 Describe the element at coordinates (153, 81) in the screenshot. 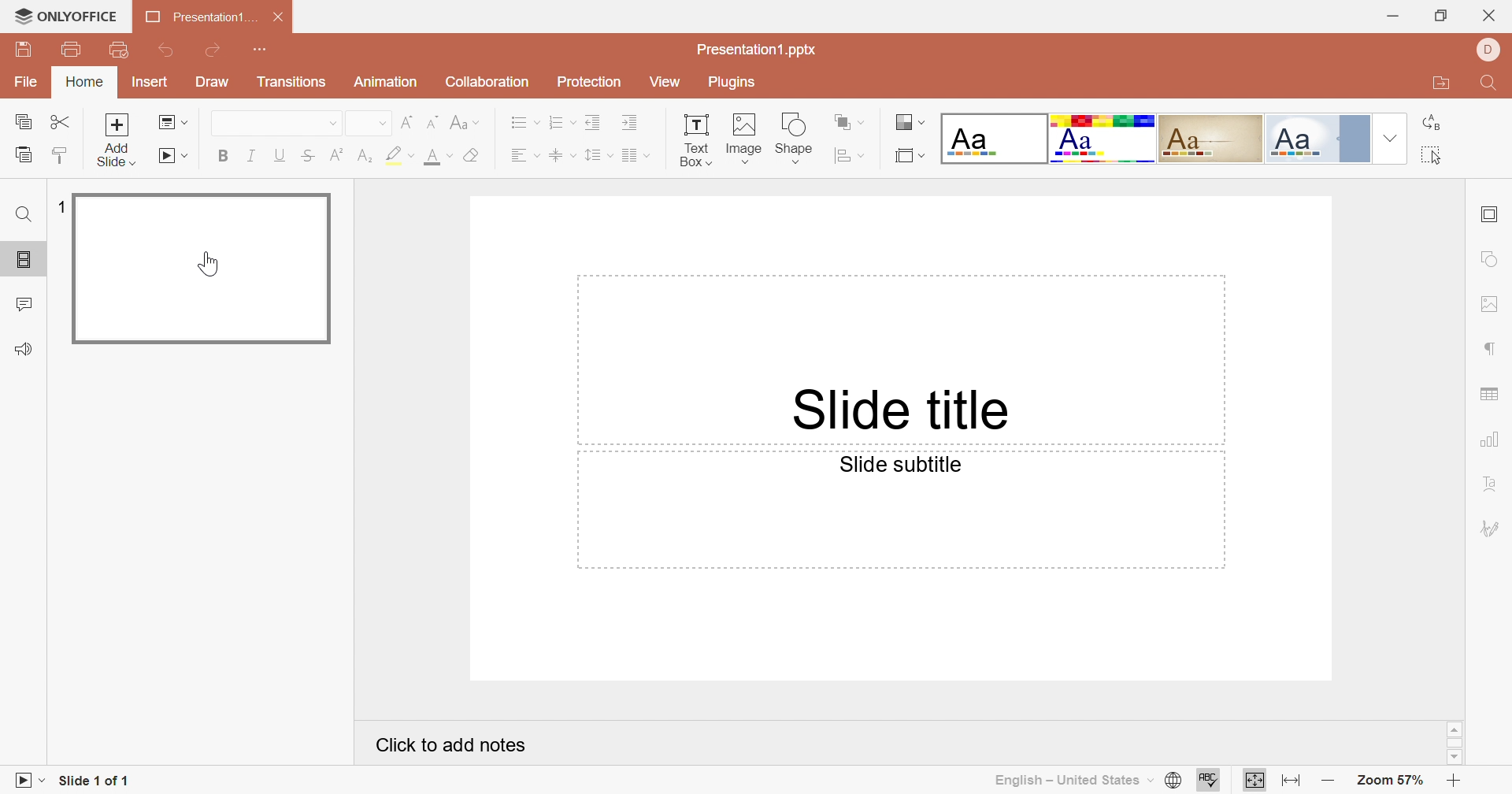

I see `Insert` at that location.